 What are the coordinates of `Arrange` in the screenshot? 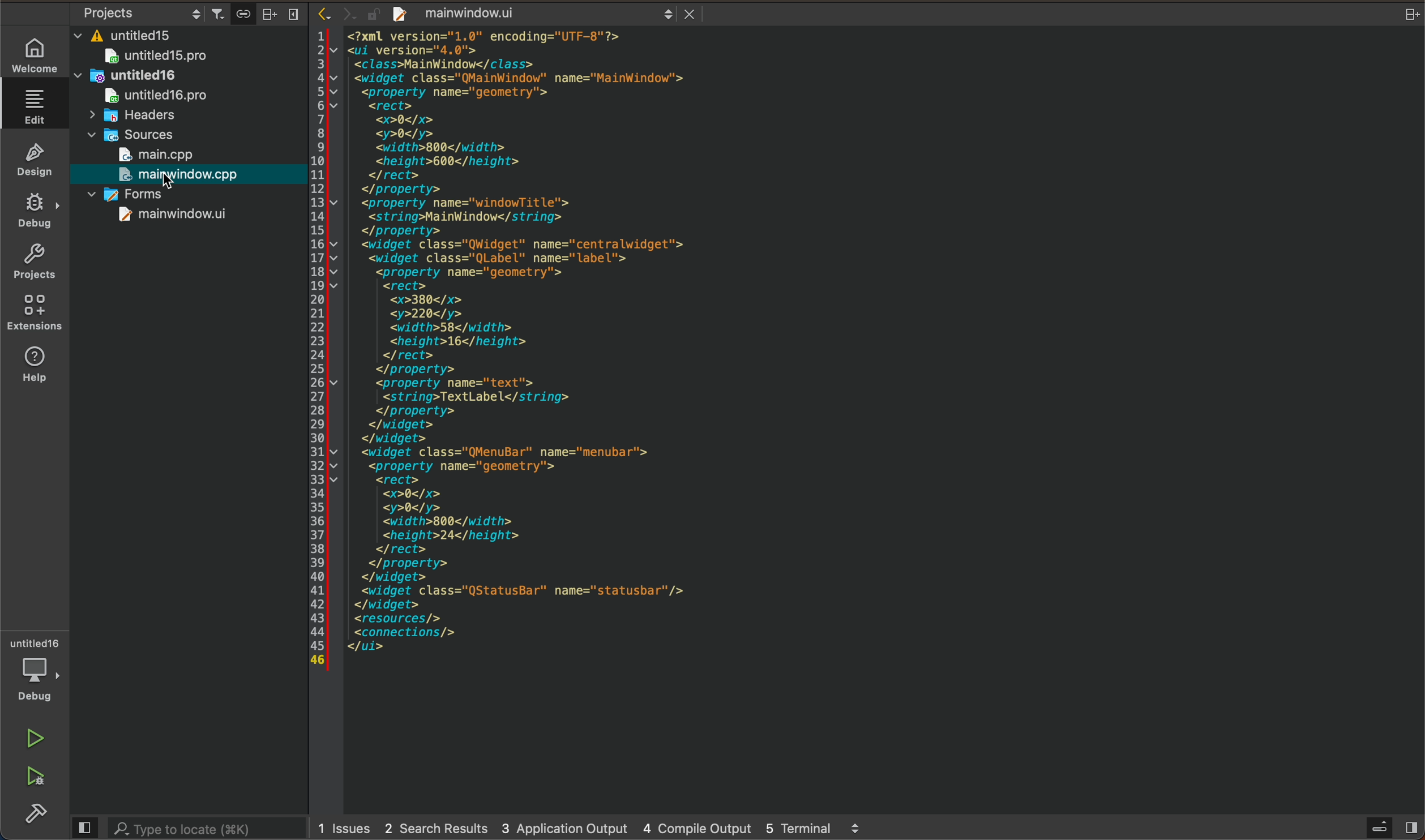 It's located at (266, 13).